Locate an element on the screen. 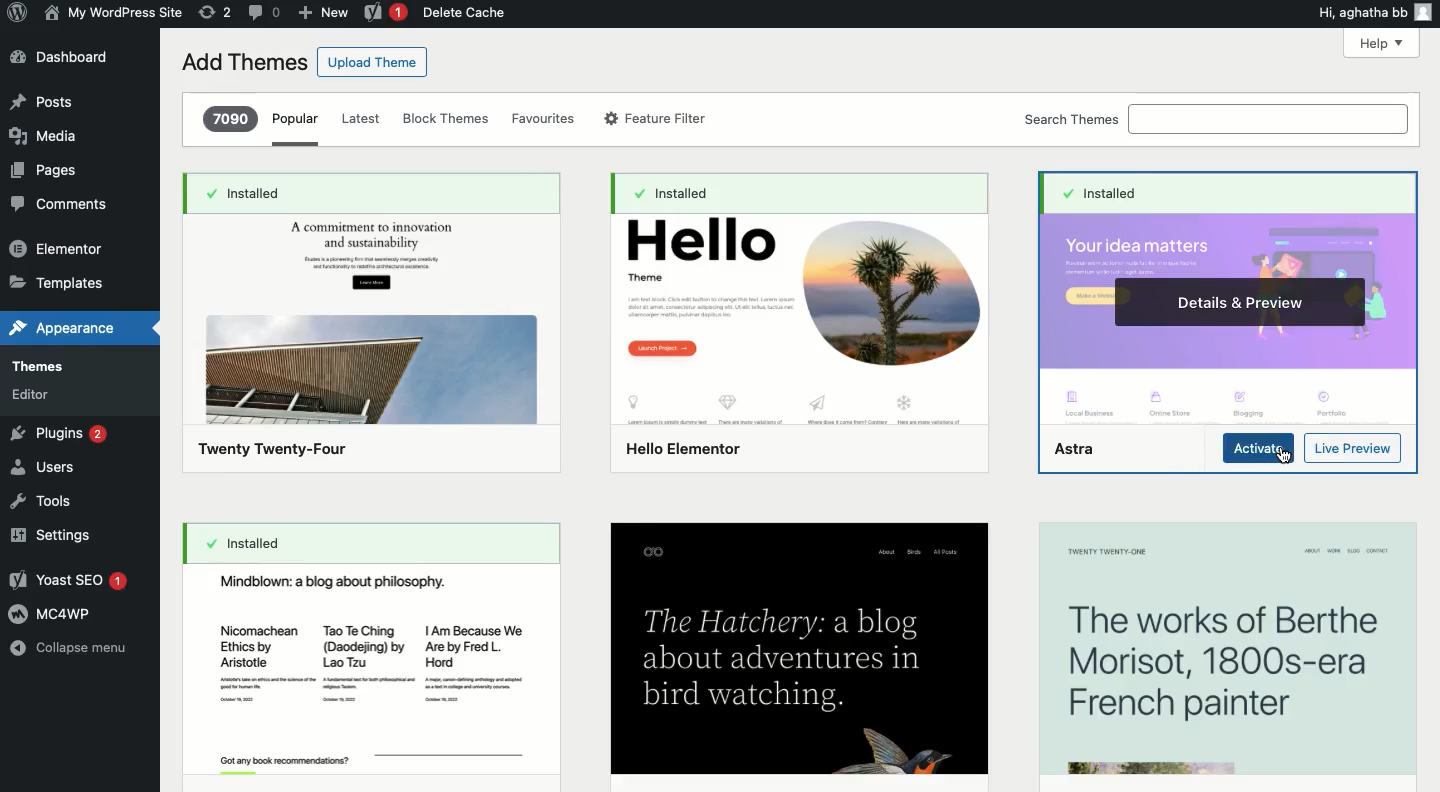 The width and height of the screenshot is (1440, 792). Latest is located at coordinates (361, 119).